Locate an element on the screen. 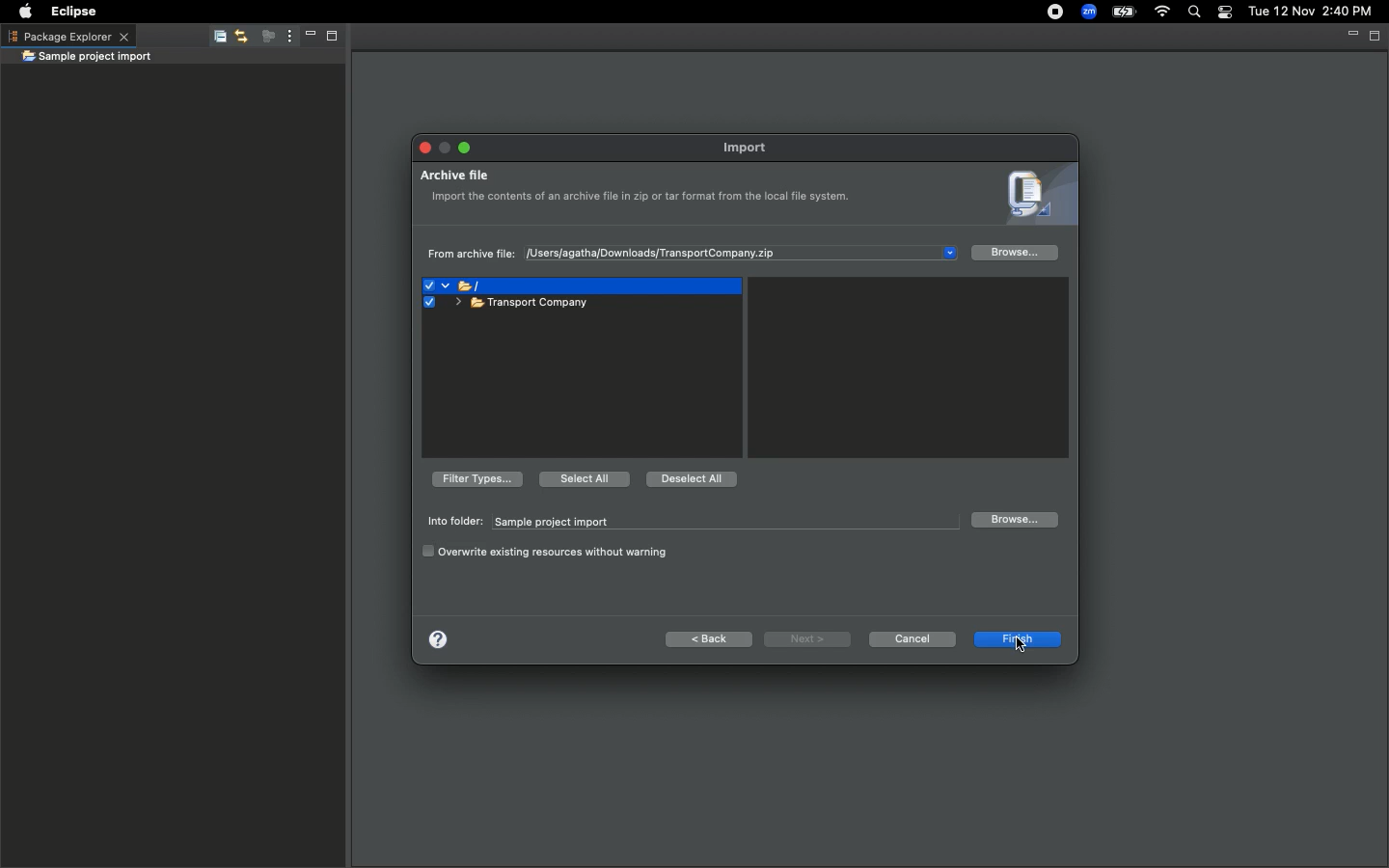  Minimize is located at coordinates (305, 38).